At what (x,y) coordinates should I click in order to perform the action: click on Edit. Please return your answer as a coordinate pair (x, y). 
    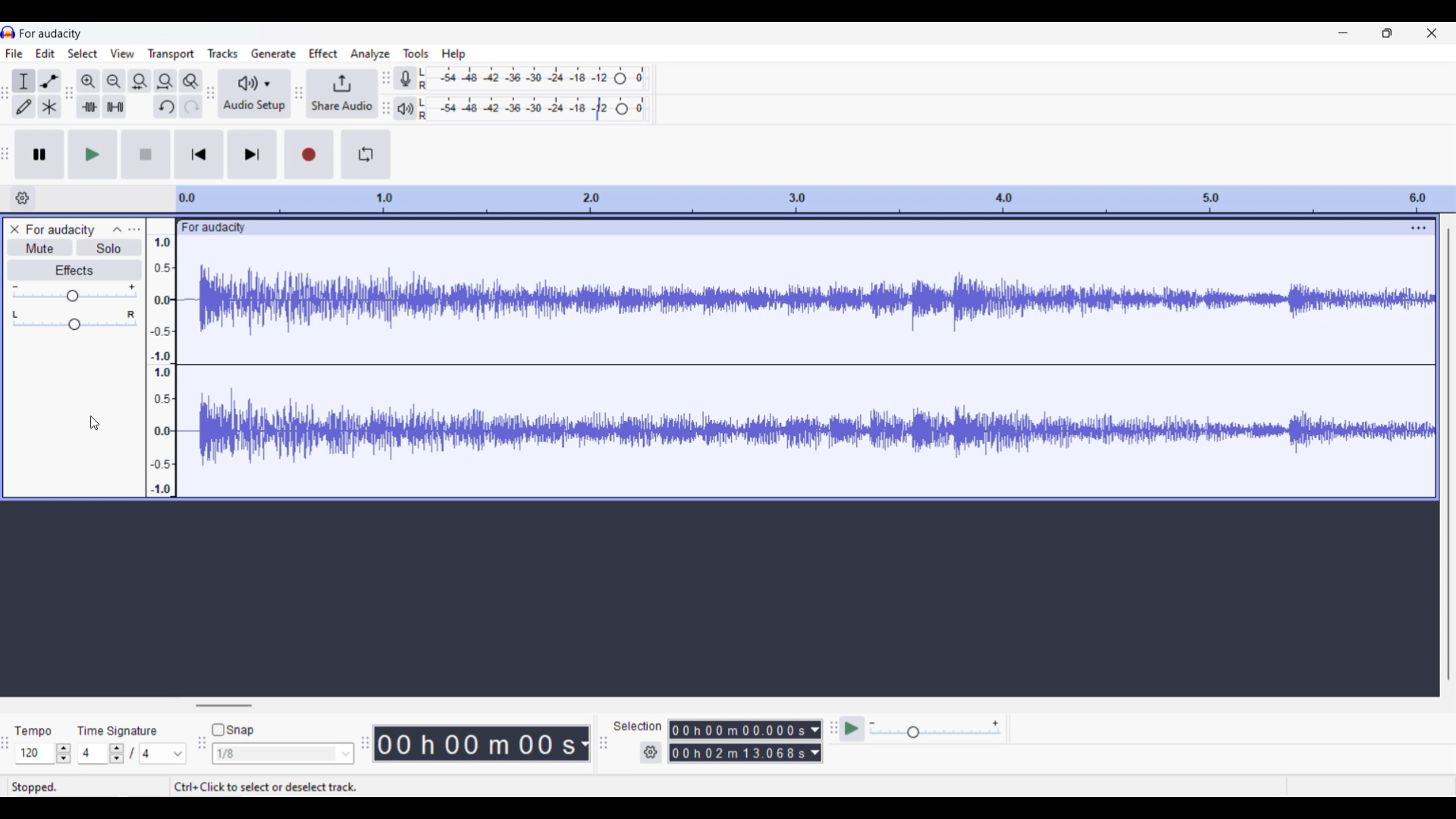
    Looking at the image, I should click on (45, 53).